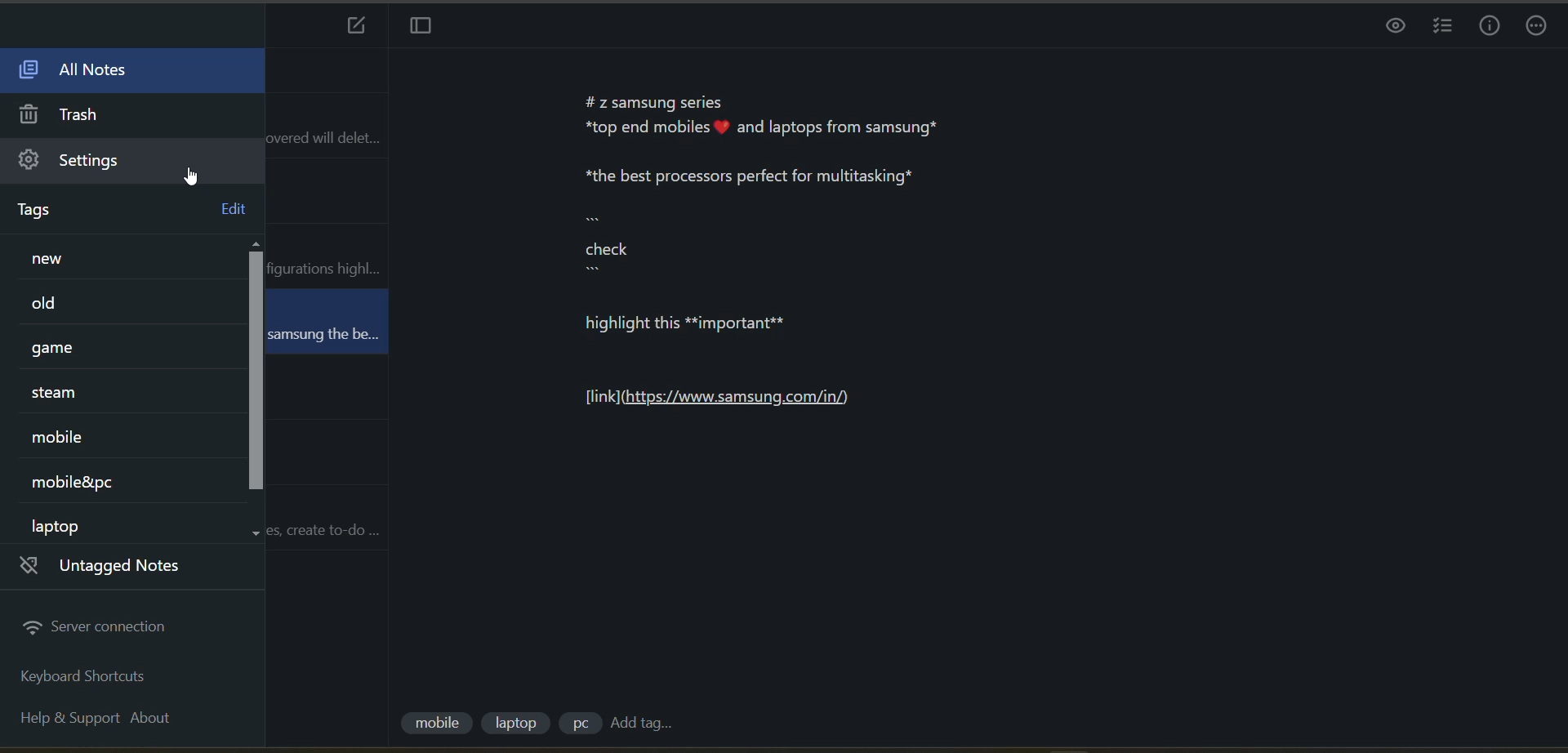  I want to click on move up, so click(259, 244).